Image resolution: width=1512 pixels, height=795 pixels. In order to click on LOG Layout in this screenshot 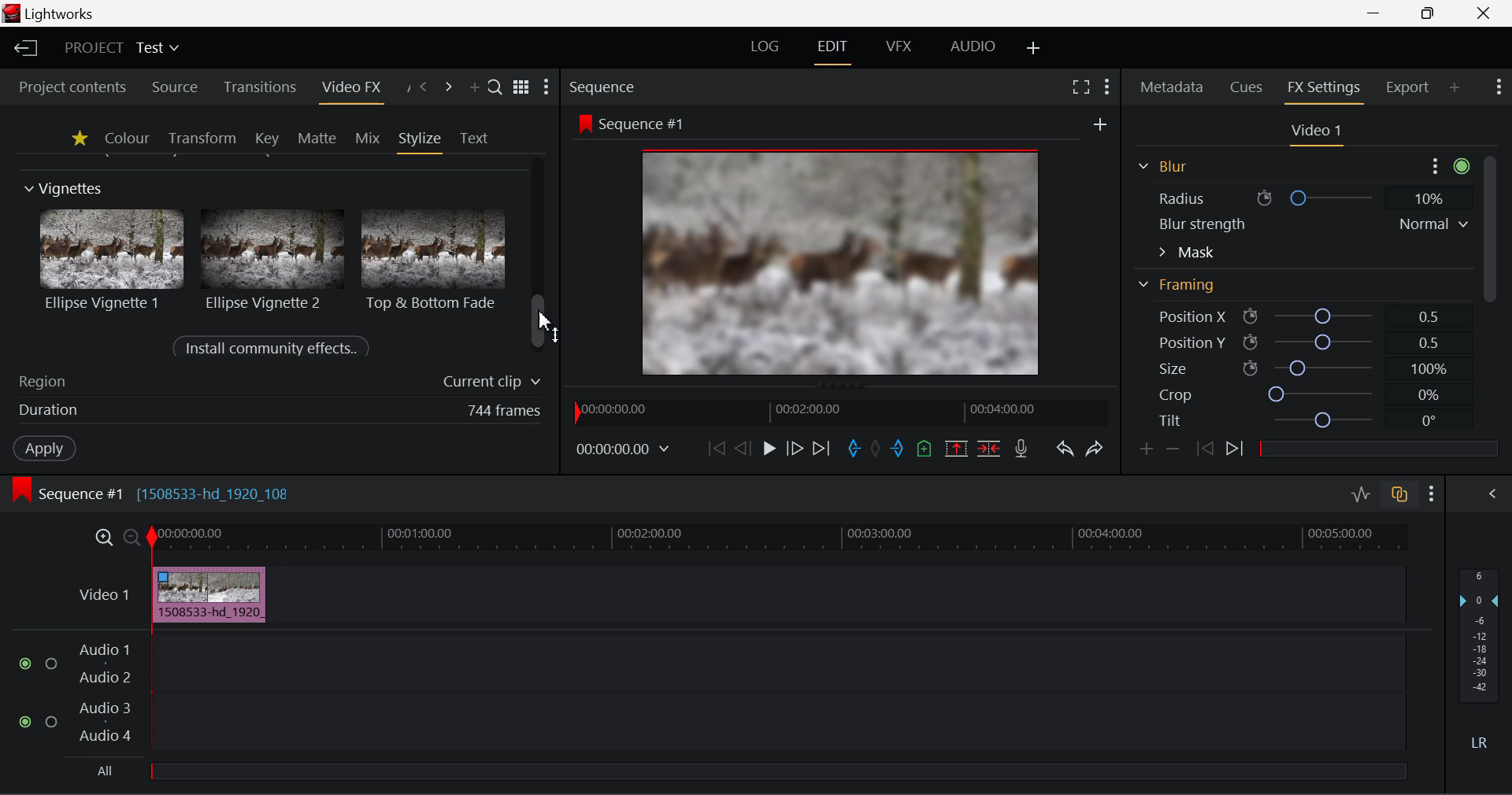, I will do `click(770, 48)`.